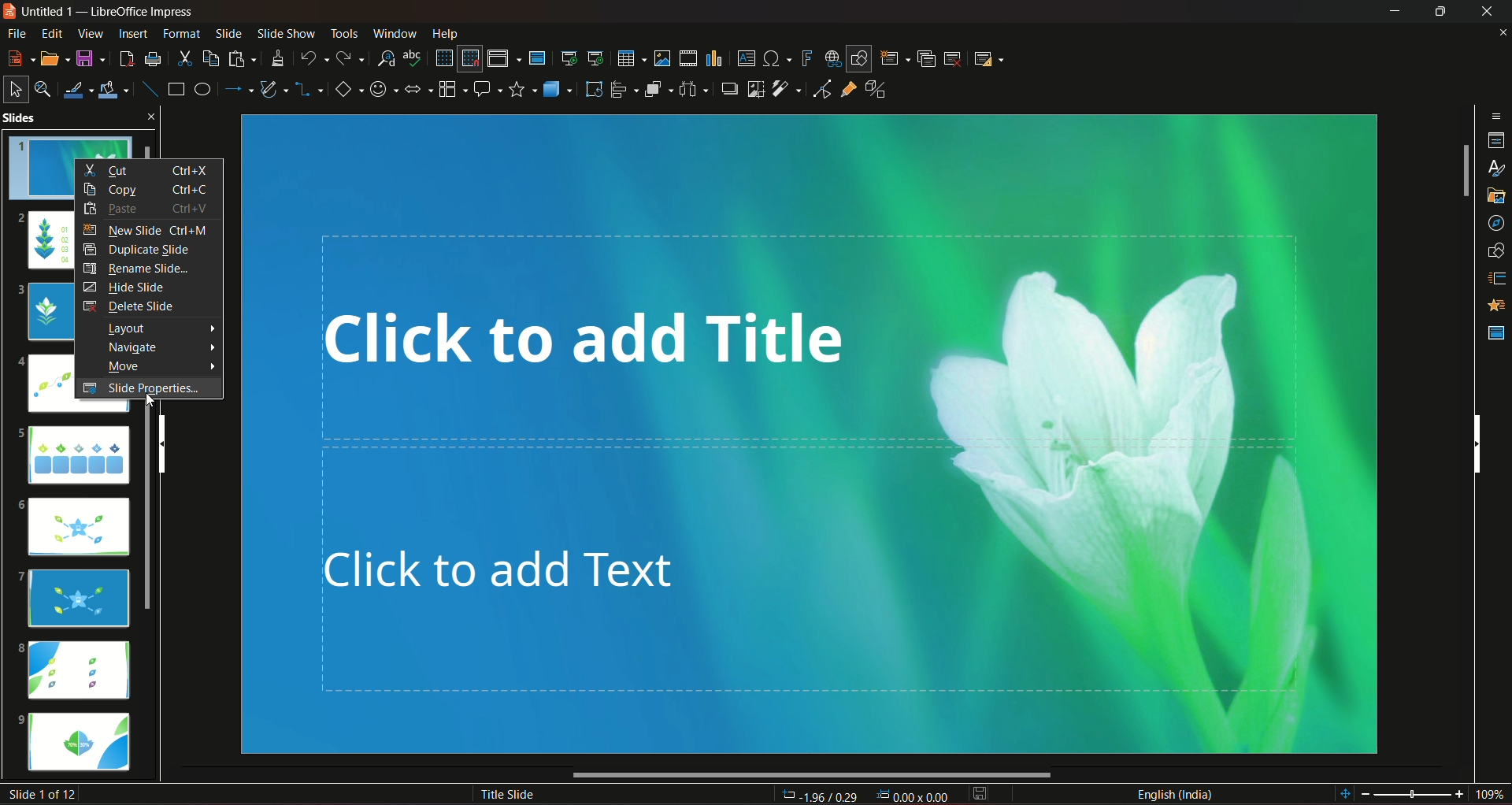 The height and width of the screenshot is (805, 1512). What do you see at coordinates (813, 334) in the screenshot?
I see `click to add title` at bounding box center [813, 334].